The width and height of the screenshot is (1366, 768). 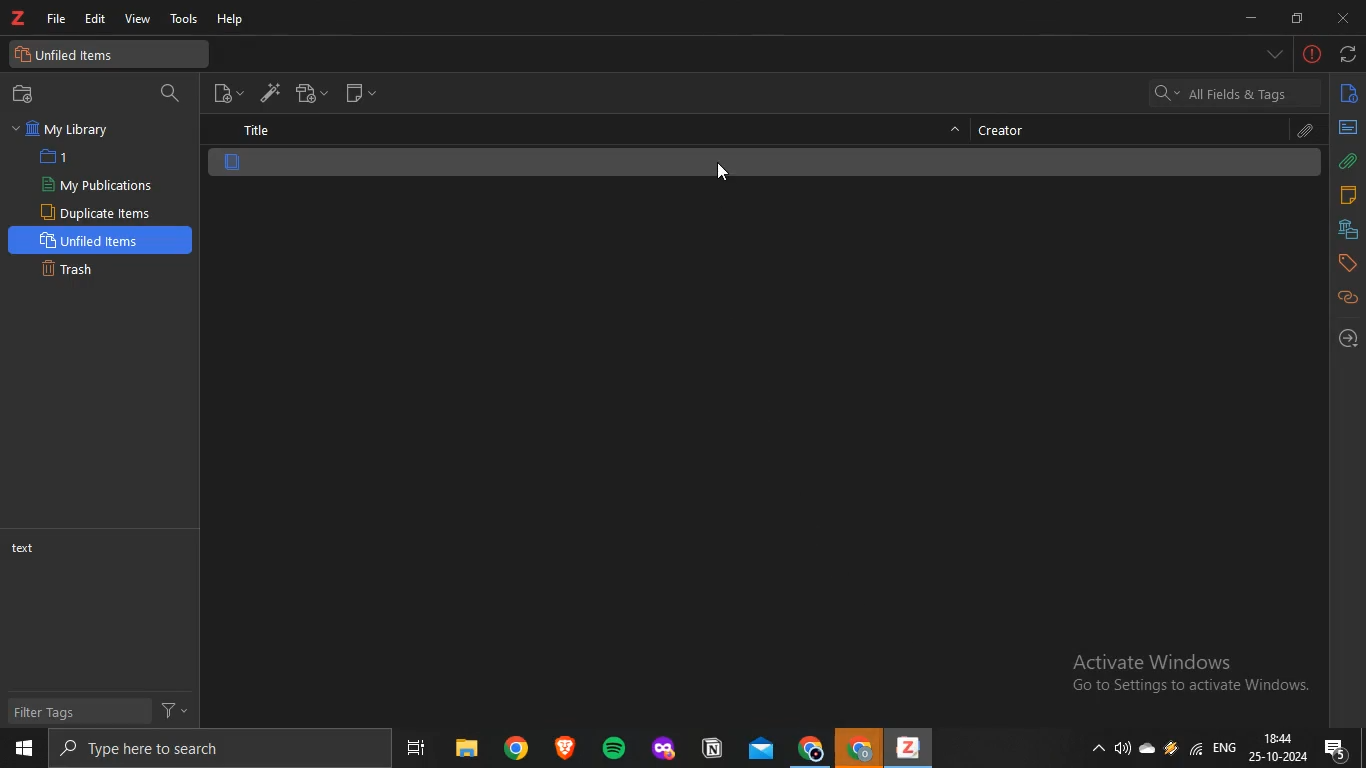 What do you see at coordinates (562, 744) in the screenshot?
I see `app` at bounding box center [562, 744].